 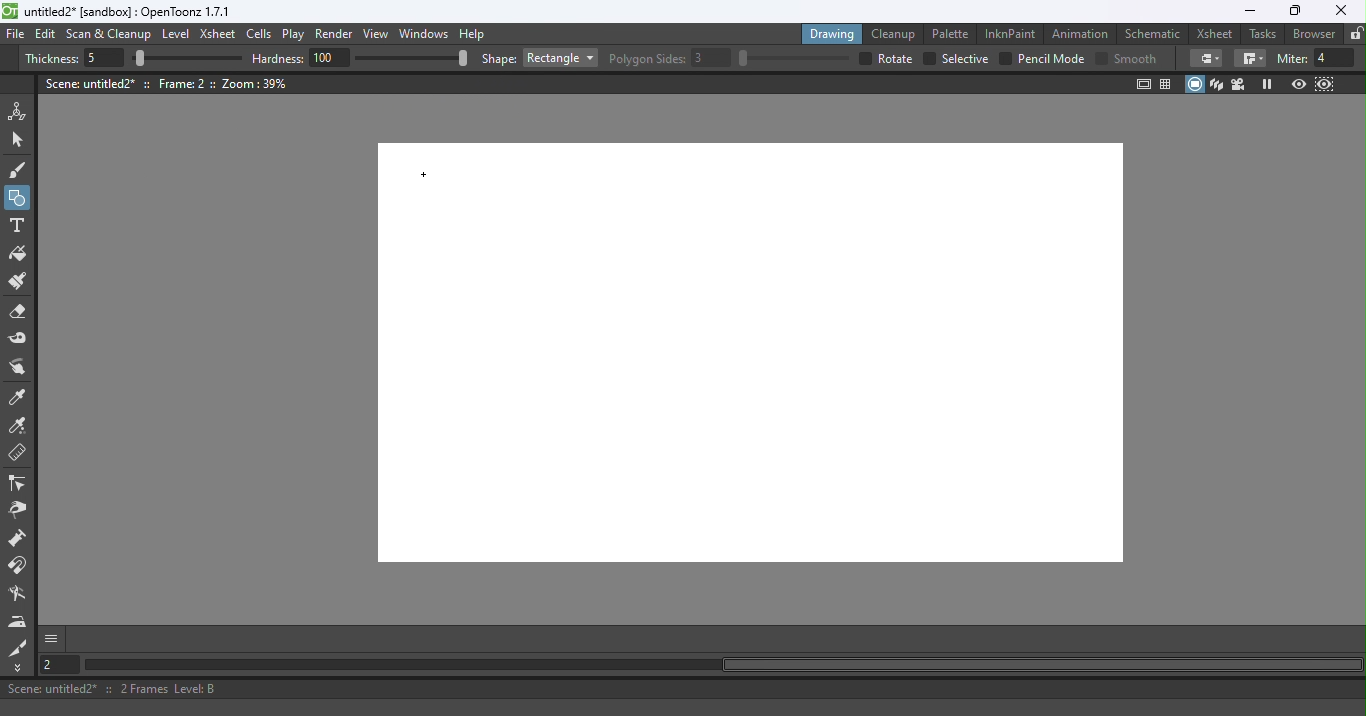 I want to click on Eraser tool, so click(x=23, y=312).